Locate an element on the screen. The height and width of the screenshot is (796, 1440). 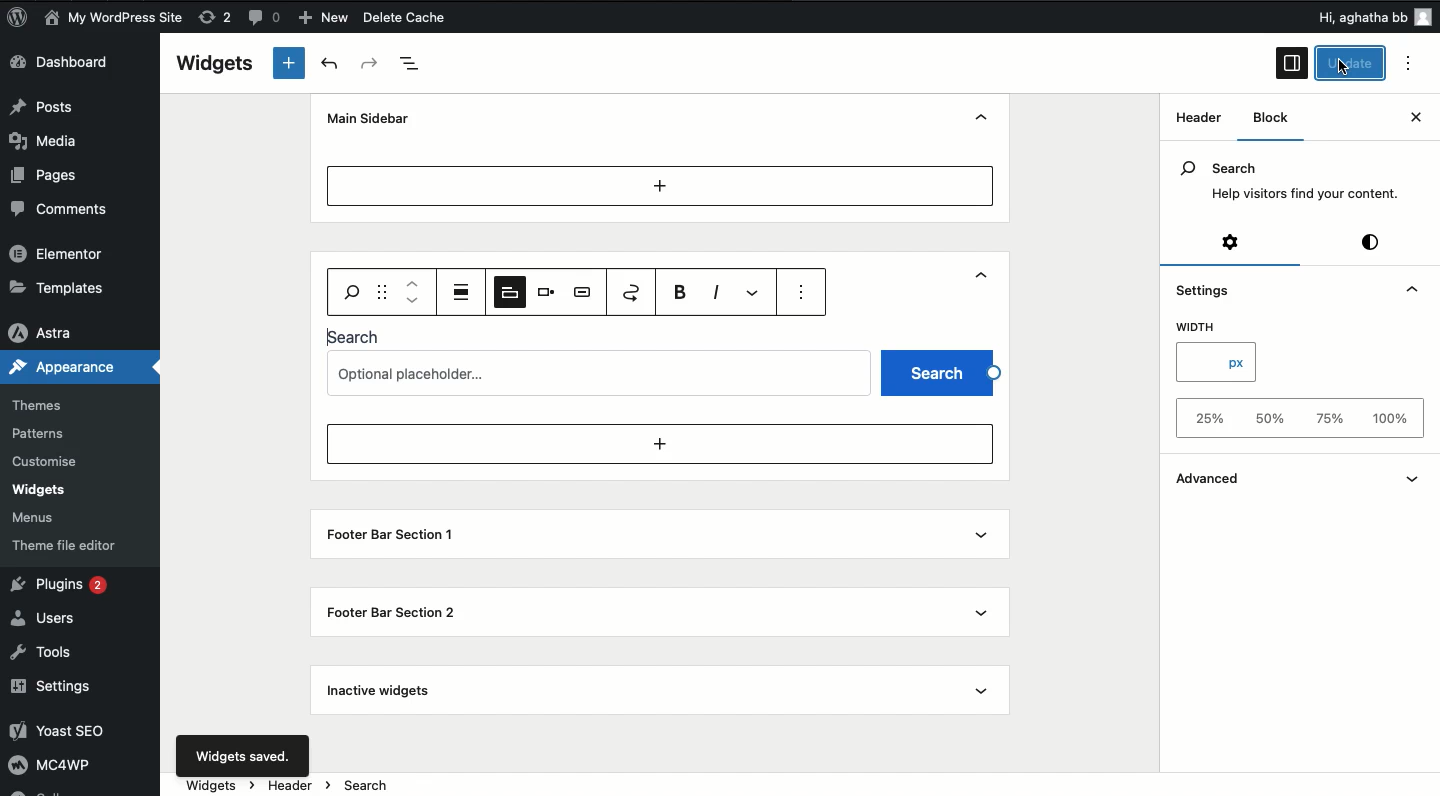
 is located at coordinates (1337, 17).